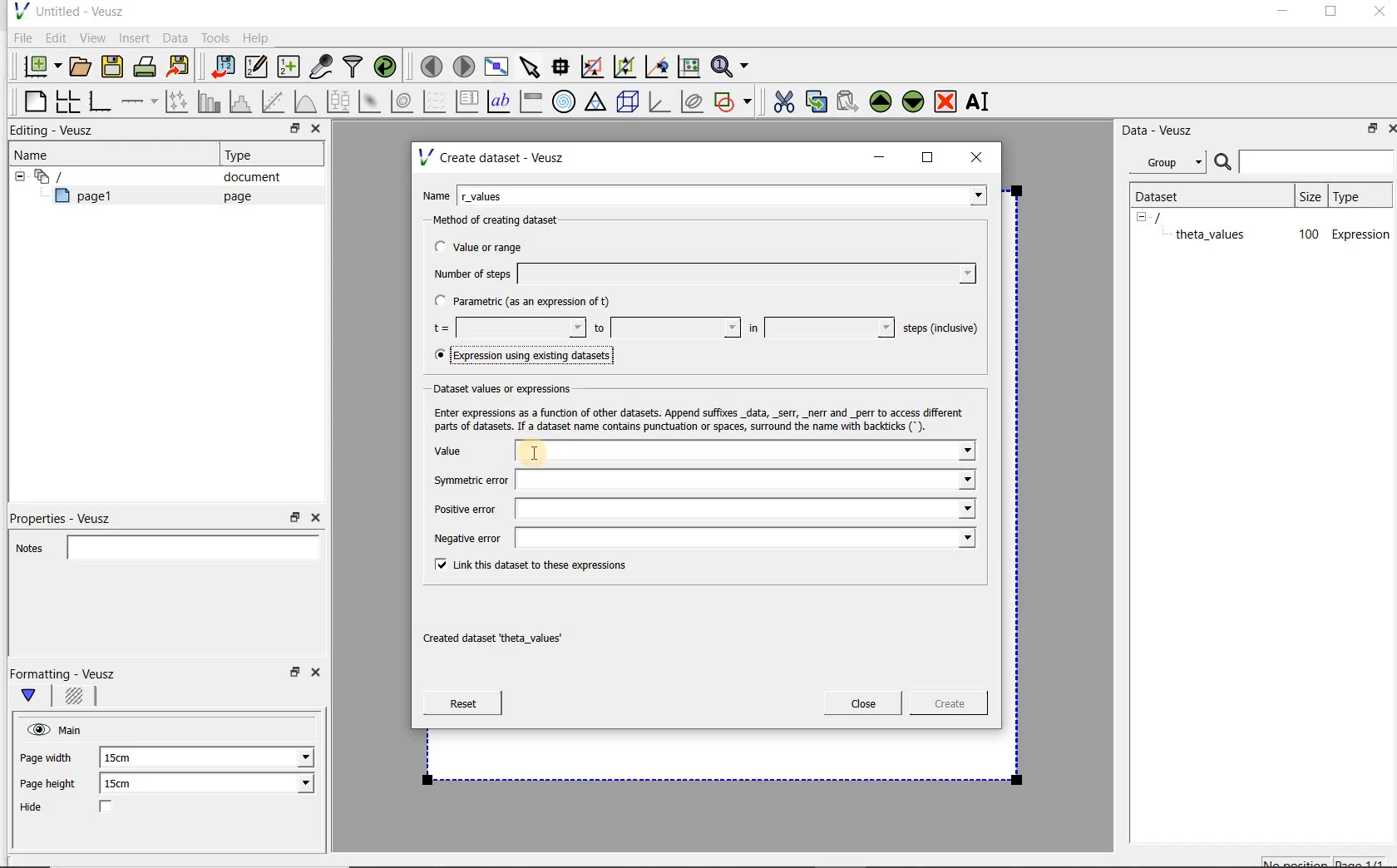 The height and width of the screenshot is (868, 1397). I want to click on plot box plots, so click(338, 102).